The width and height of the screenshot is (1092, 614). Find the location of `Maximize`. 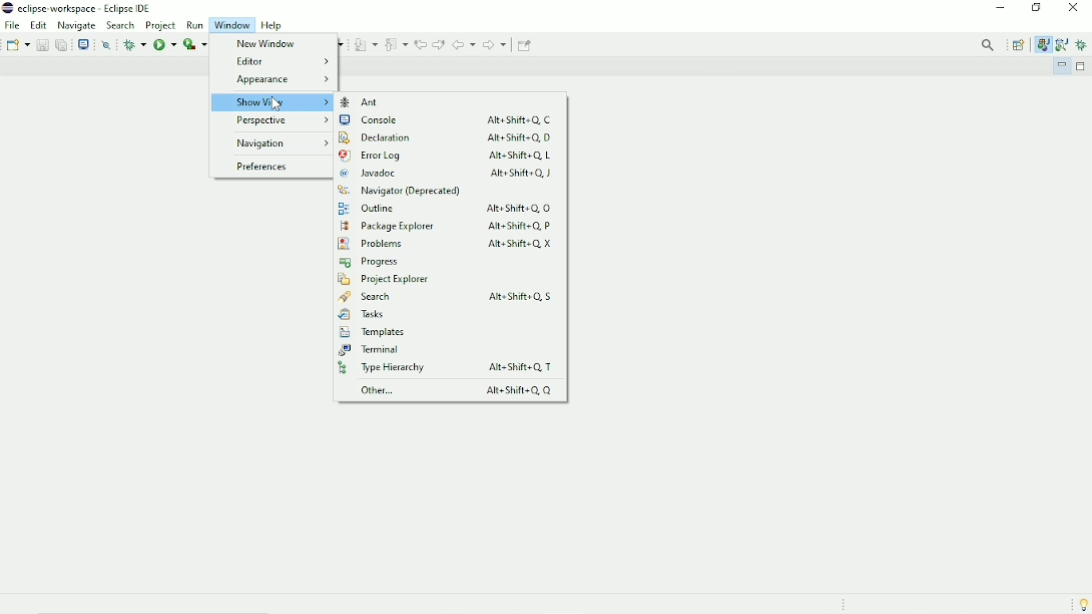

Maximize is located at coordinates (1082, 66).